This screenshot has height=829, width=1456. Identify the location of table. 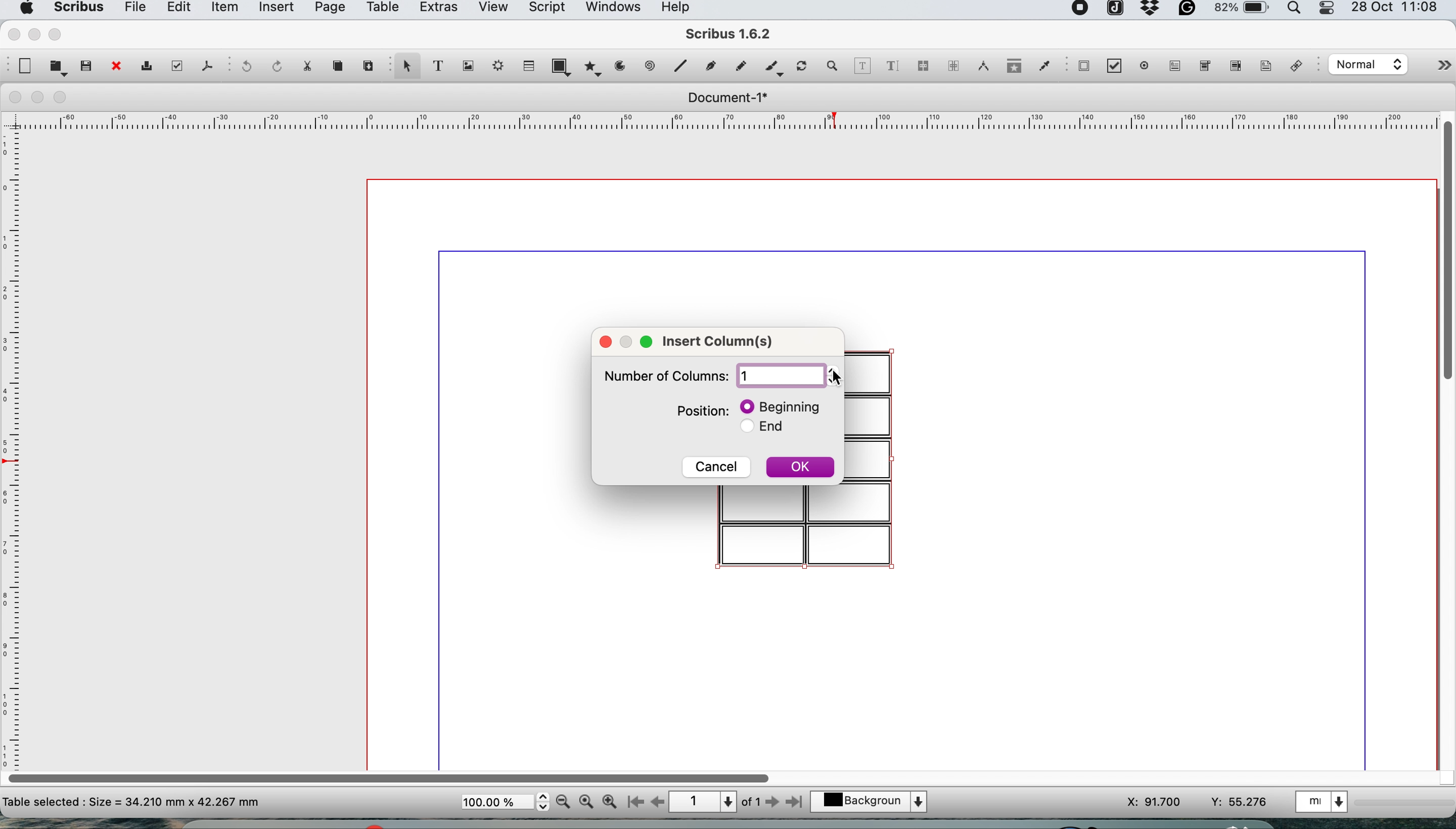
(381, 9).